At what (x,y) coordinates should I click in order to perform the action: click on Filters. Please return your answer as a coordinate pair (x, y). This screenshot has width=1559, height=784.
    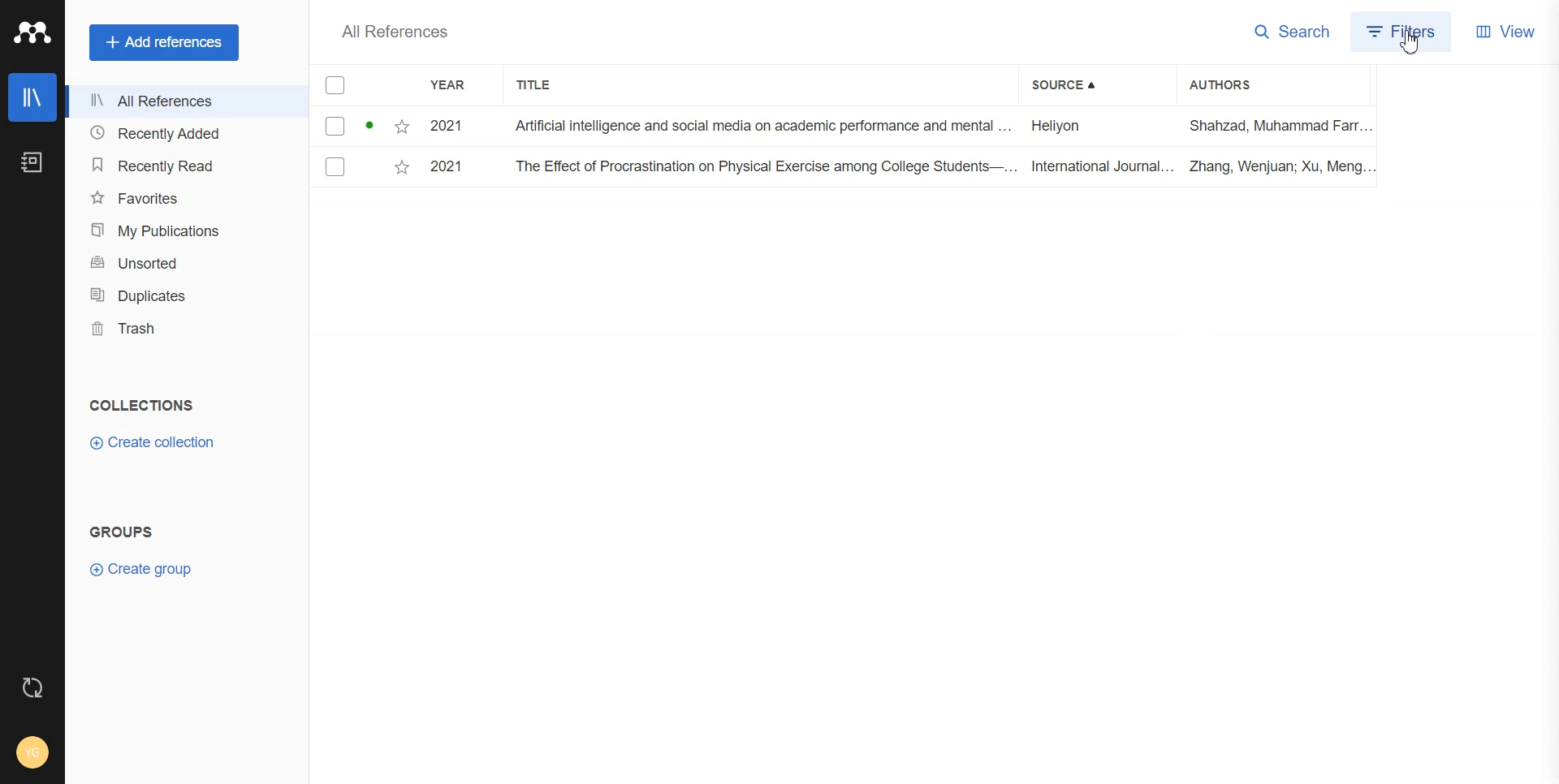
    Looking at the image, I should click on (1401, 35).